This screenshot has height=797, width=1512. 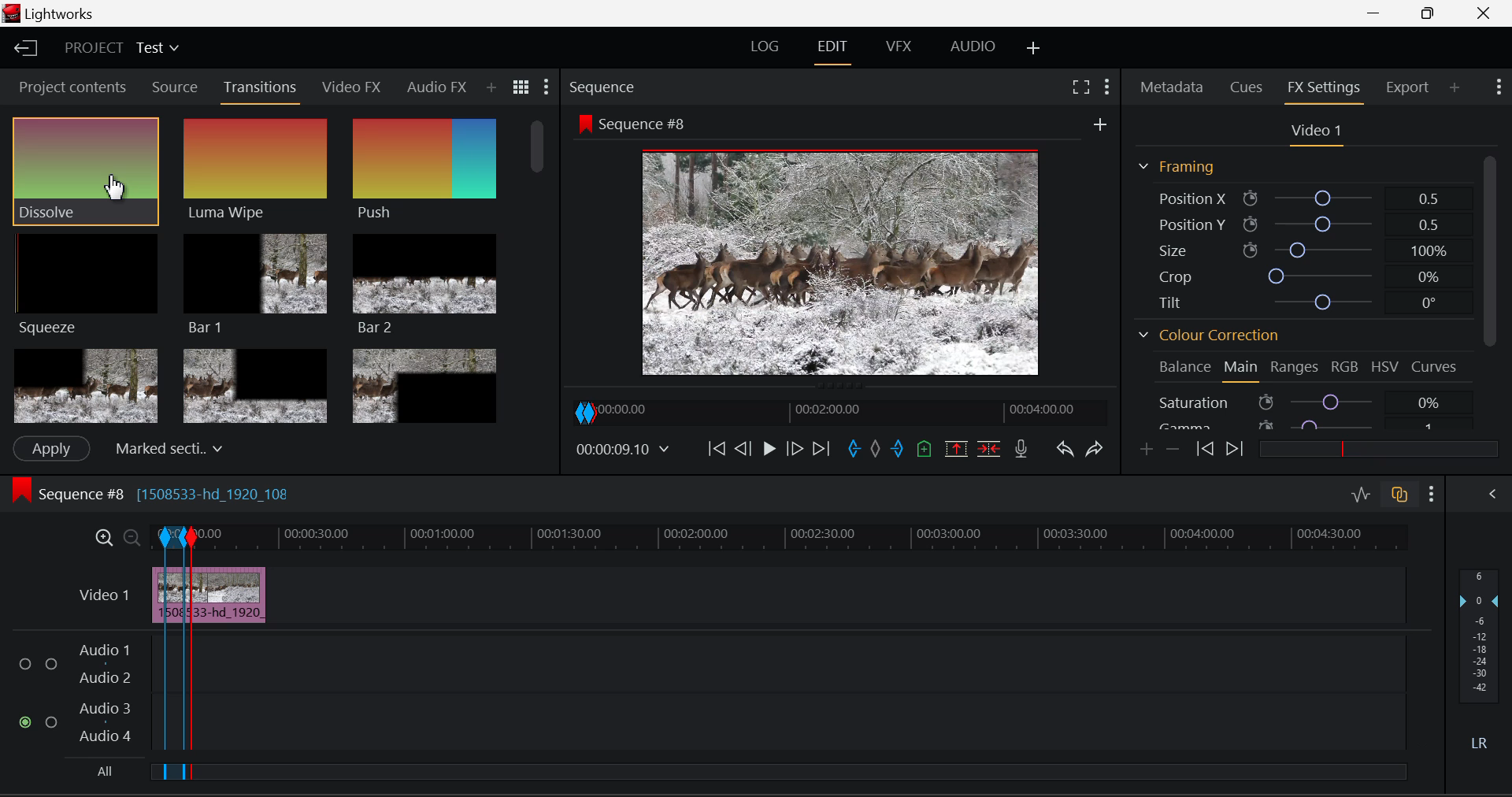 I want to click on Audio Input Checkbox, so click(x=51, y=664).